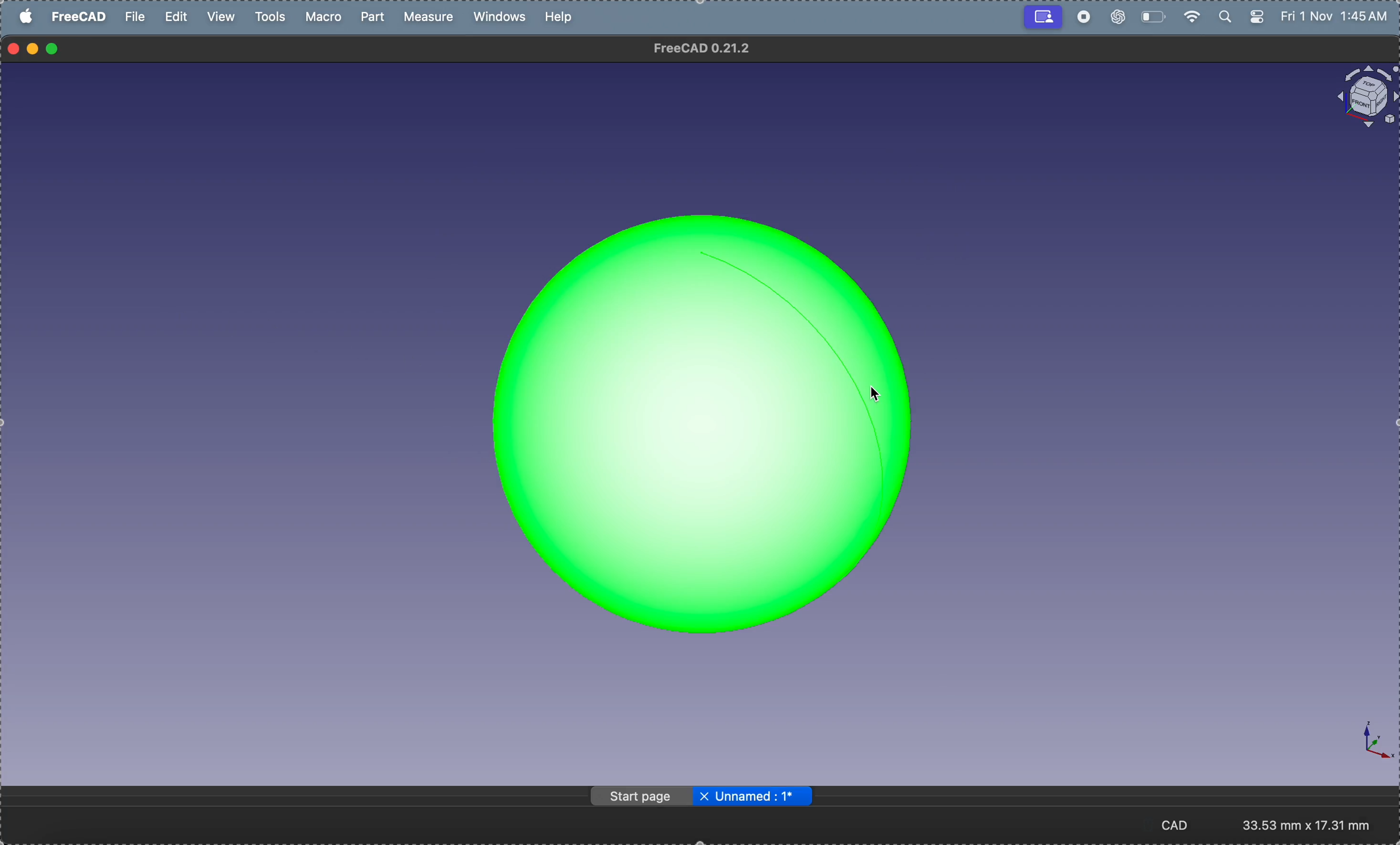  What do you see at coordinates (1359, 98) in the screenshot?
I see `object view` at bounding box center [1359, 98].